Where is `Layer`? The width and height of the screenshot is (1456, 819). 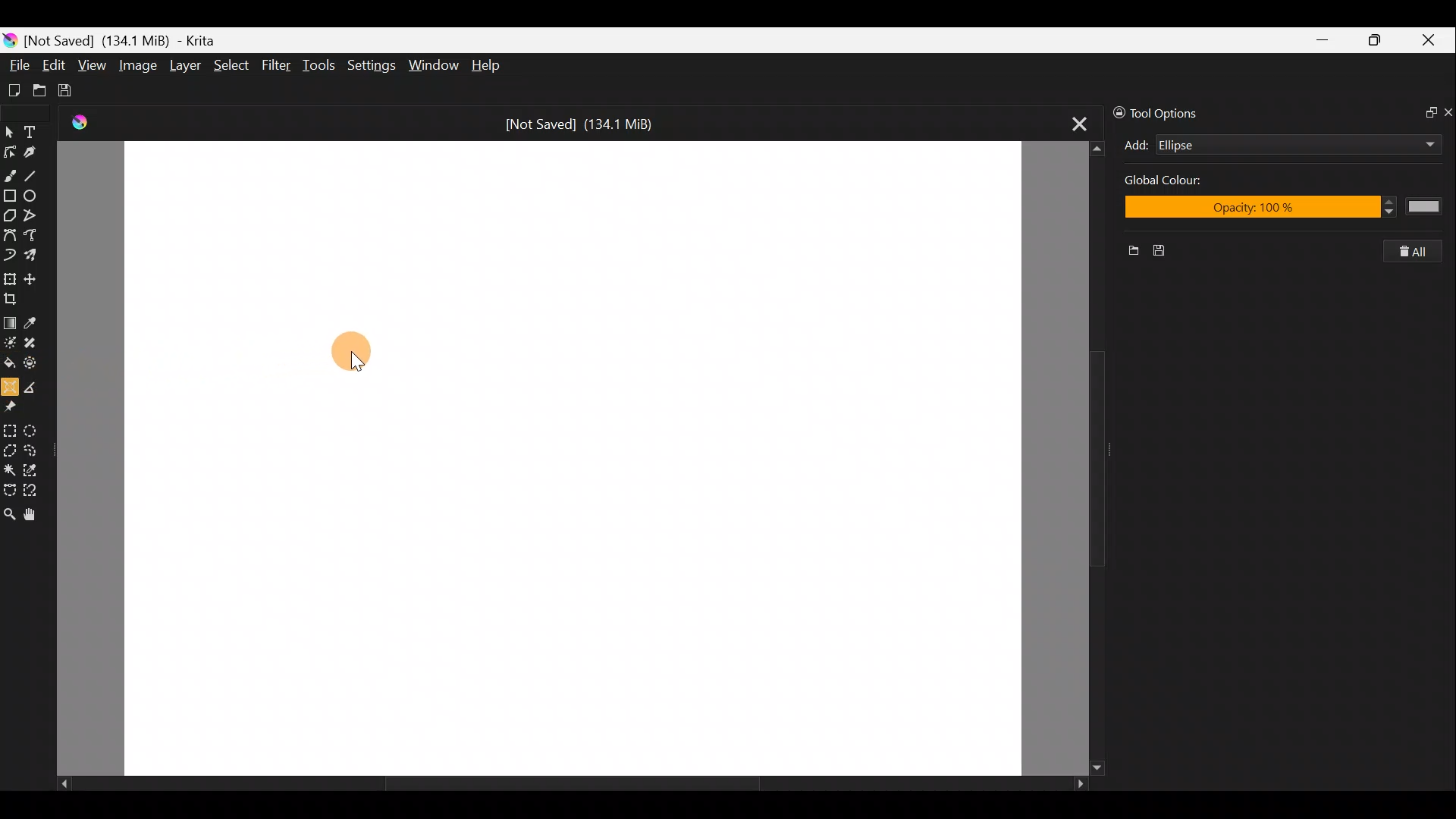
Layer is located at coordinates (184, 66).